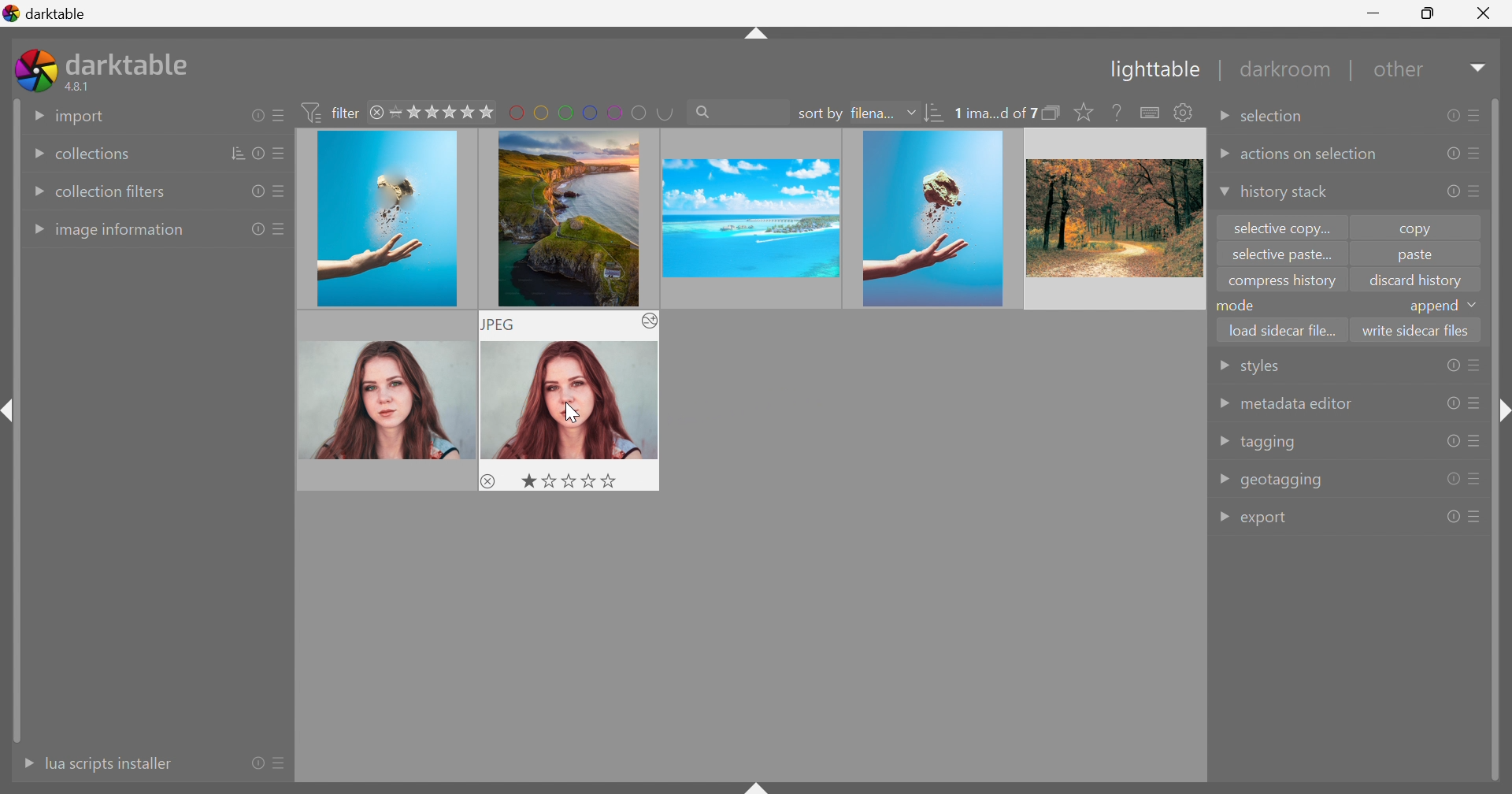 Image resolution: width=1512 pixels, height=794 pixels. Describe the element at coordinates (239, 153) in the screenshot. I see `sort` at that location.